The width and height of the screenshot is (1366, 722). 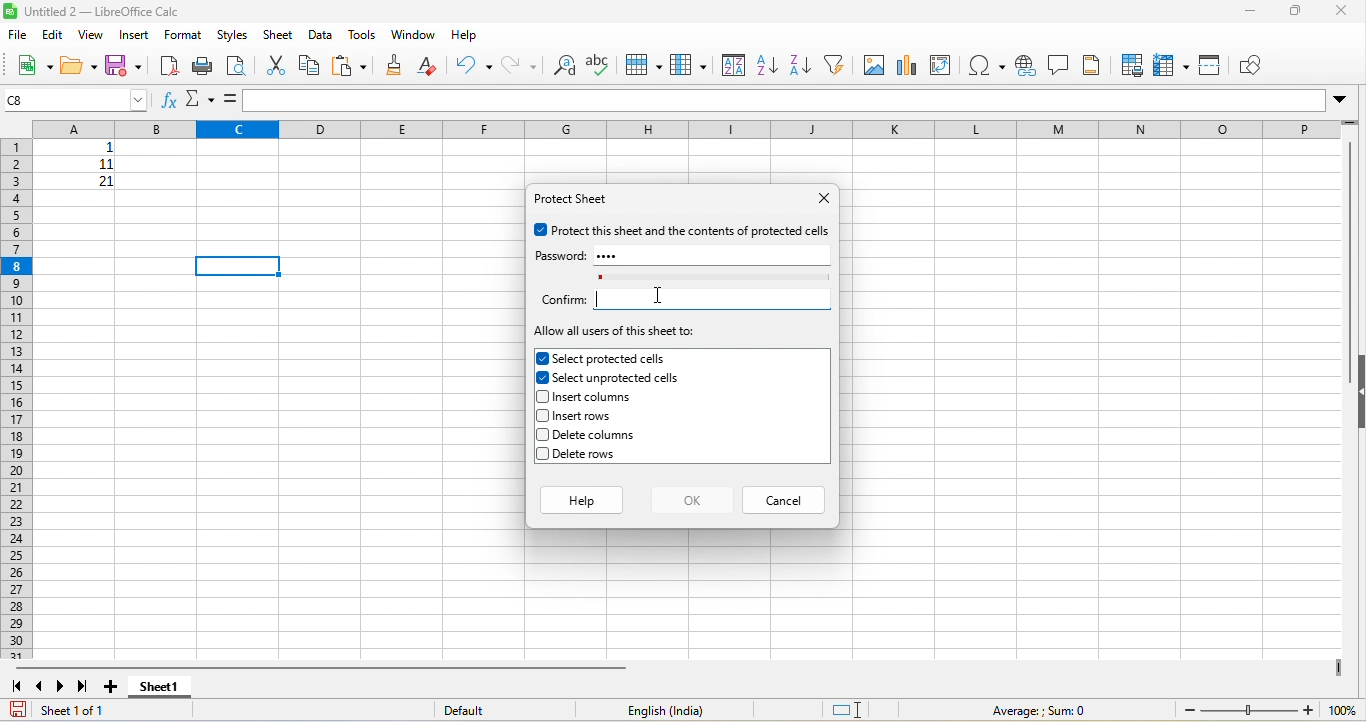 I want to click on last sheet, so click(x=85, y=686).